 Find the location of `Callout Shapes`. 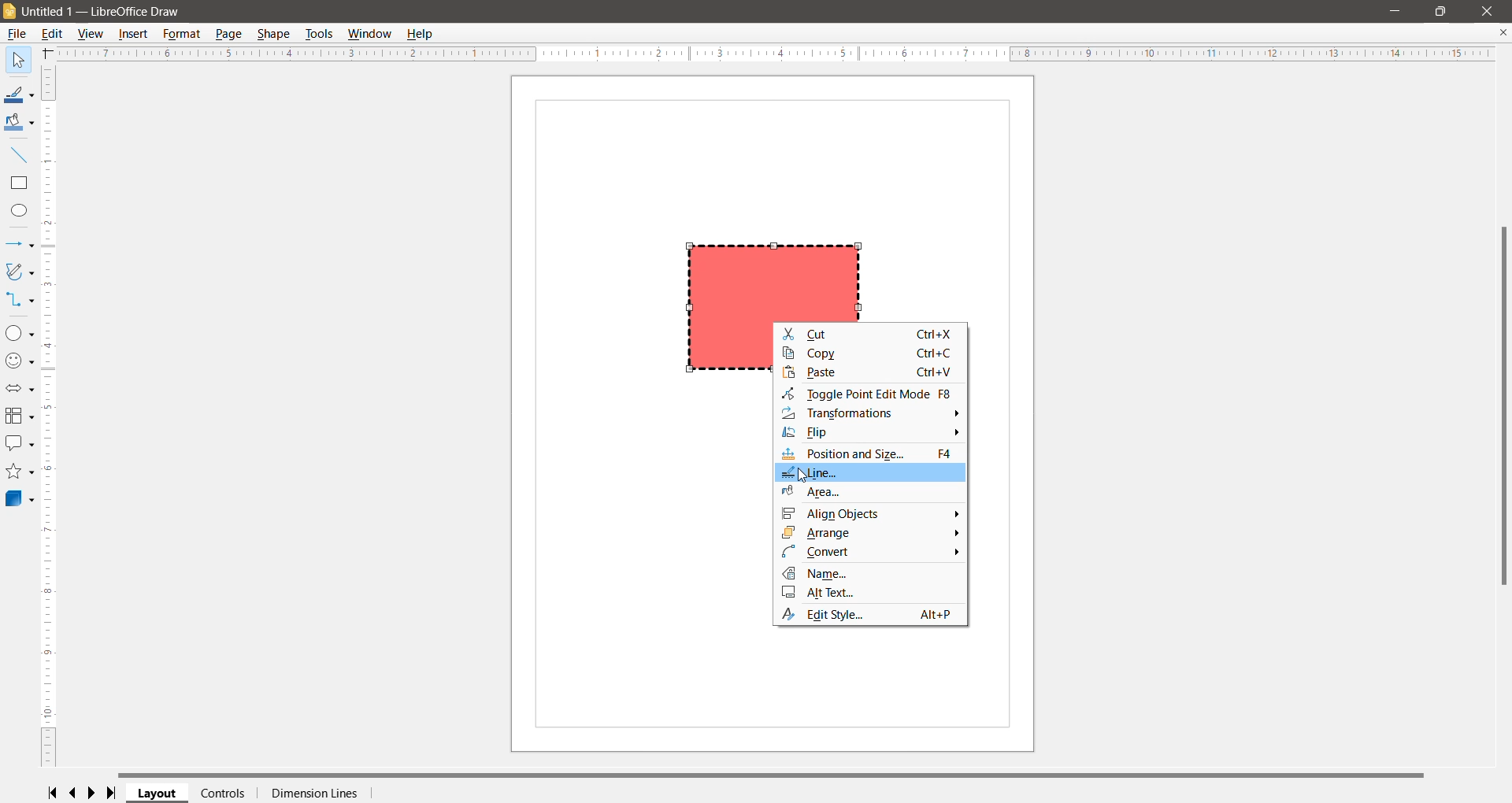

Callout Shapes is located at coordinates (20, 443).